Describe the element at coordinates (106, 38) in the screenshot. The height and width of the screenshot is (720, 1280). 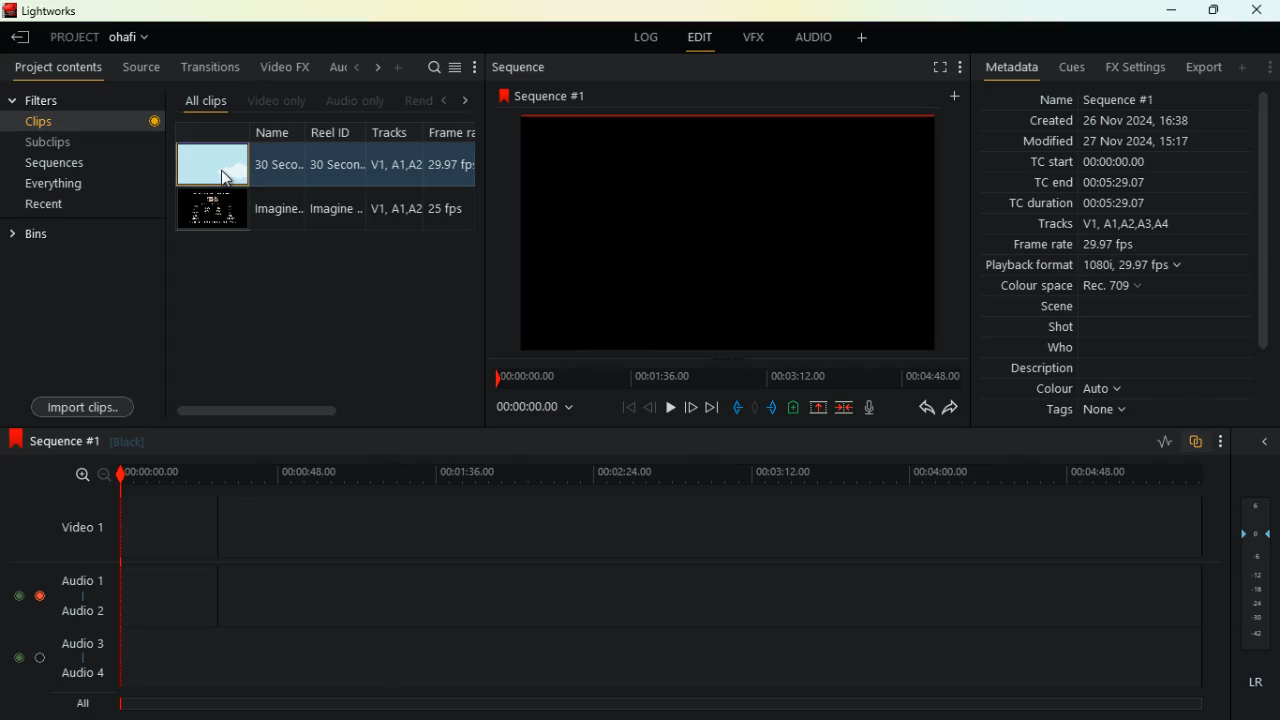
I see `project` at that location.